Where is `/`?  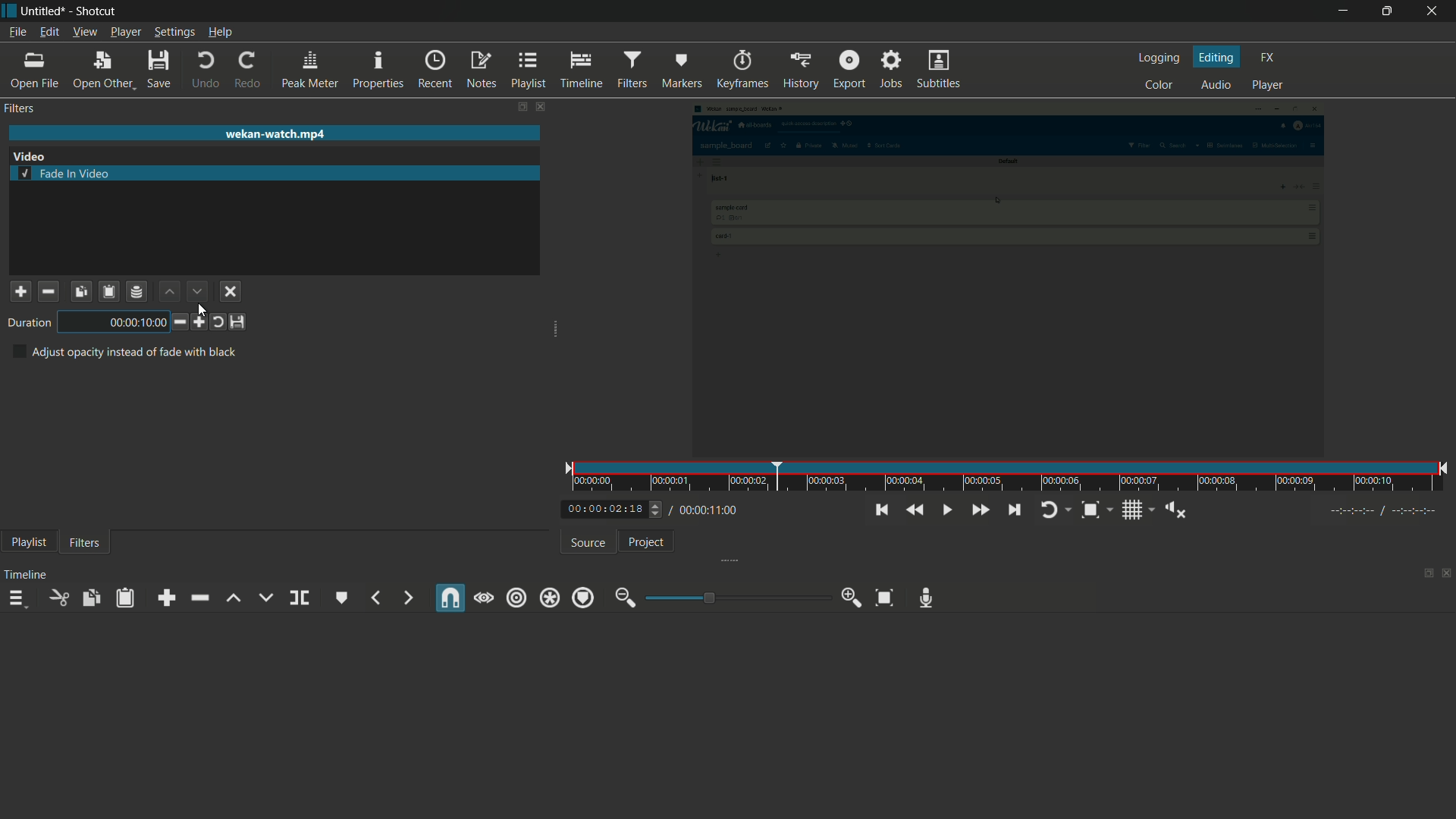
/ is located at coordinates (669, 507).